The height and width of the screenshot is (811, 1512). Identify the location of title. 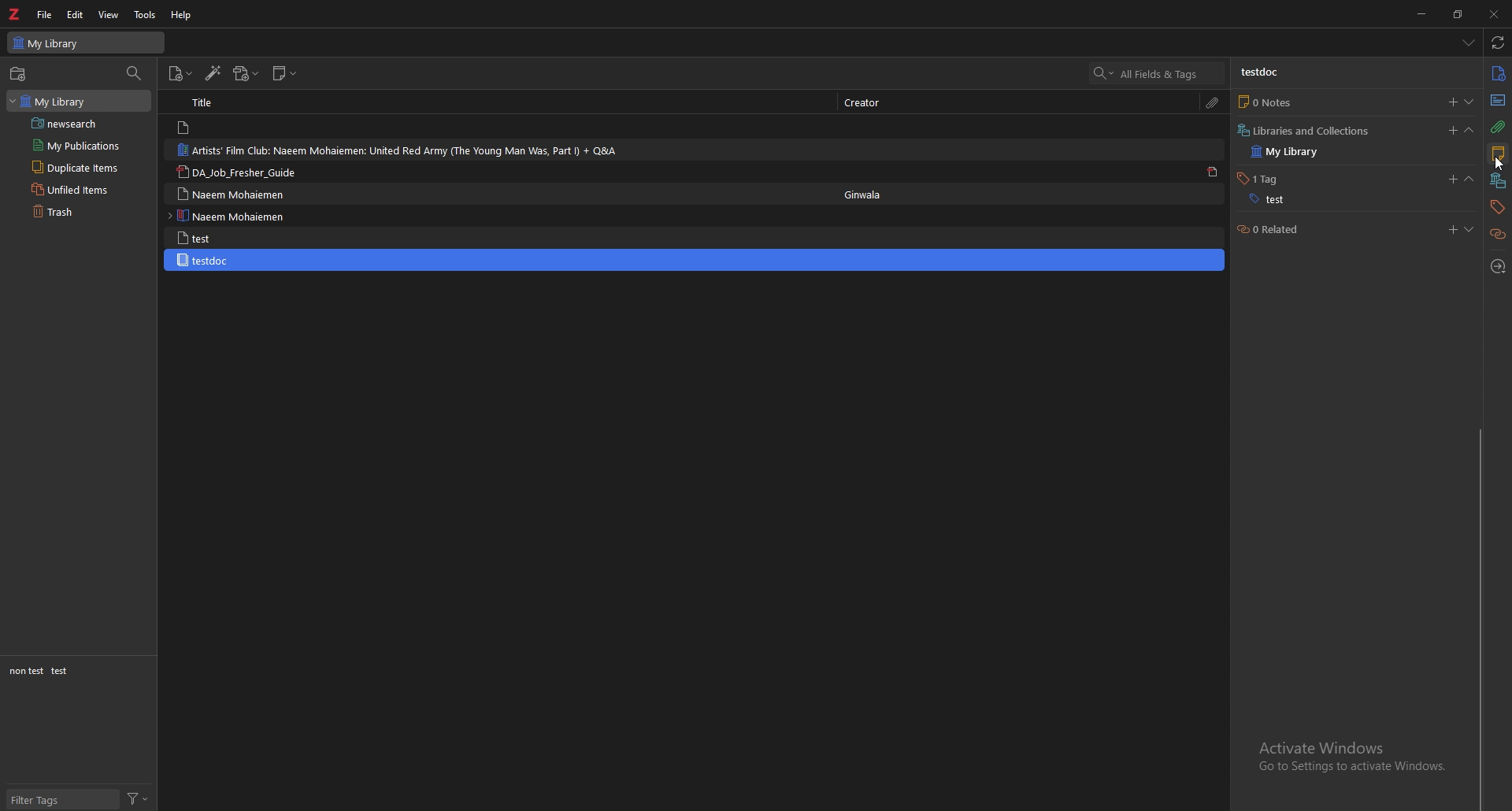
(213, 103).